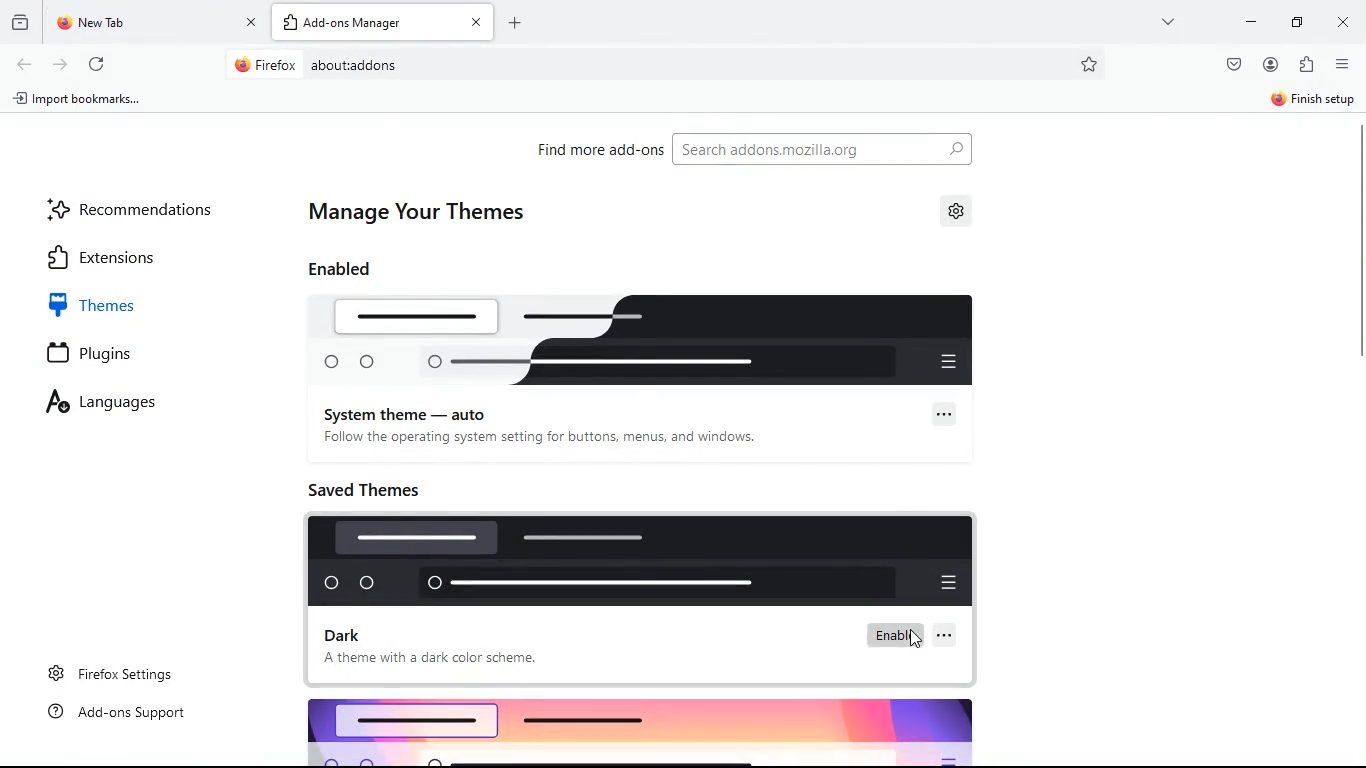  I want to click on message, so click(538, 440).